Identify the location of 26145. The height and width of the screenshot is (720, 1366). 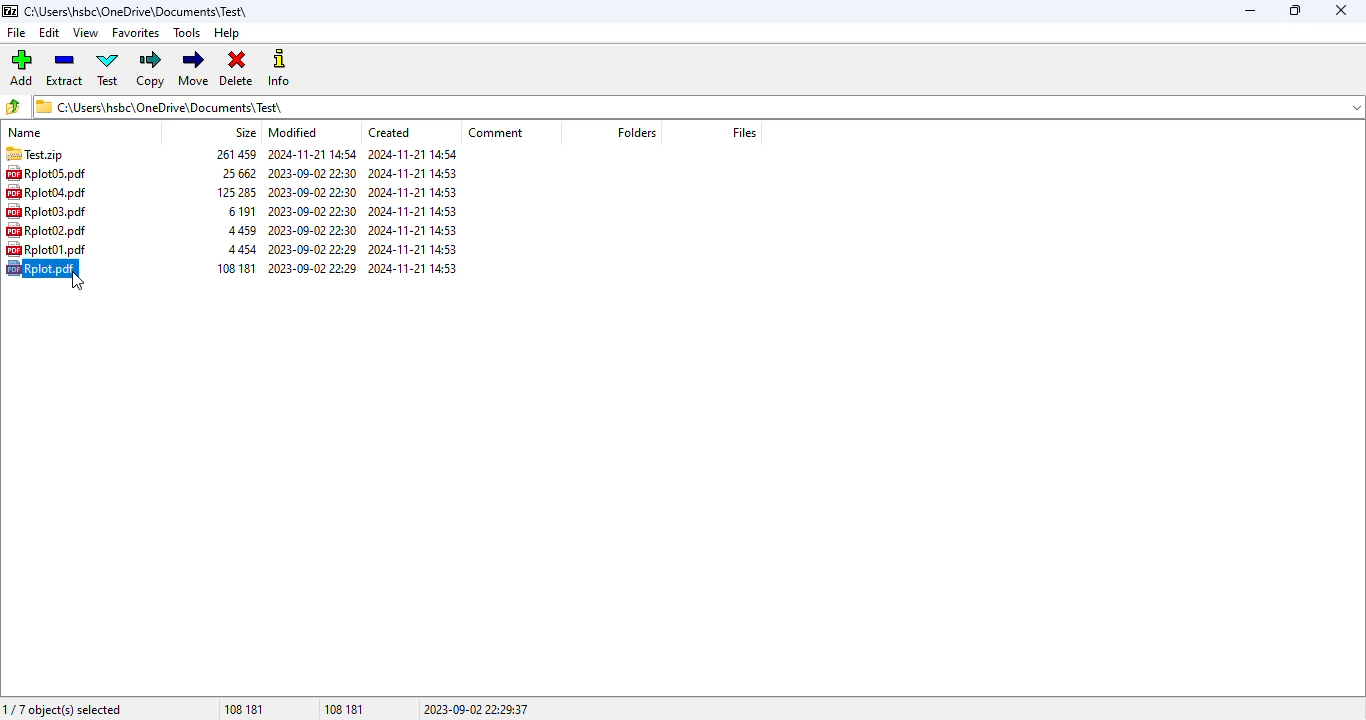
(228, 153).